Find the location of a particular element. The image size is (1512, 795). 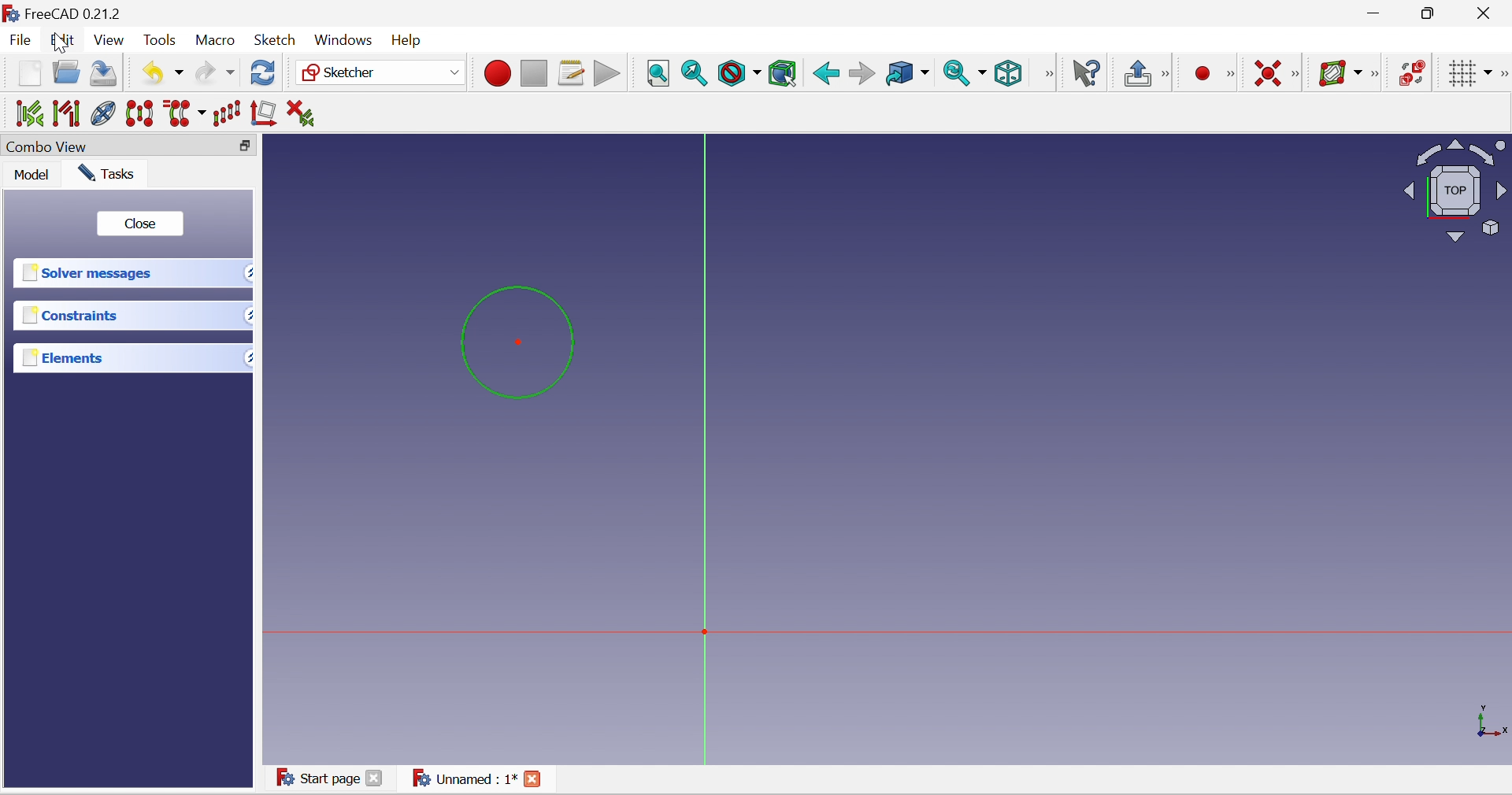

Start page is located at coordinates (332, 778).